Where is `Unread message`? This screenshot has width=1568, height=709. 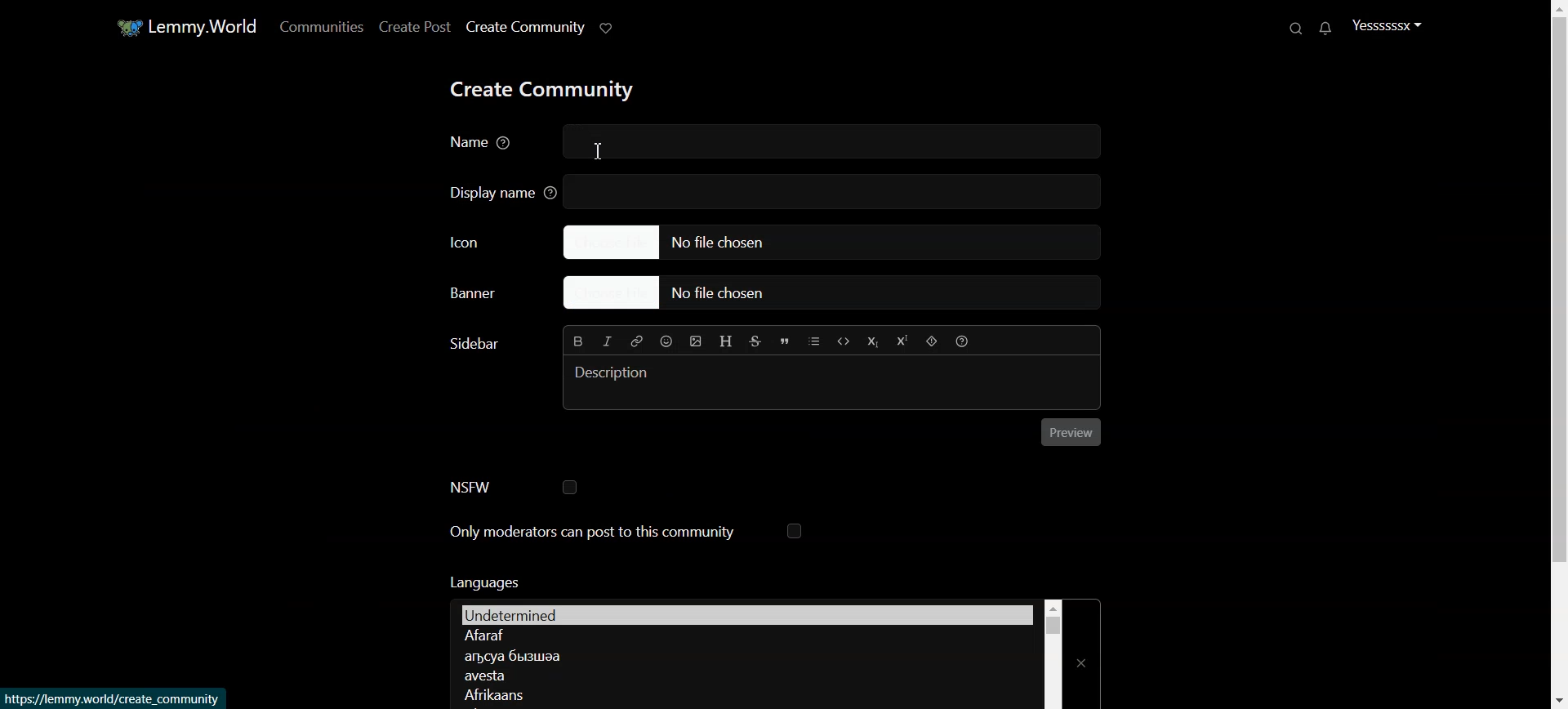 Unread message is located at coordinates (1324, 29).